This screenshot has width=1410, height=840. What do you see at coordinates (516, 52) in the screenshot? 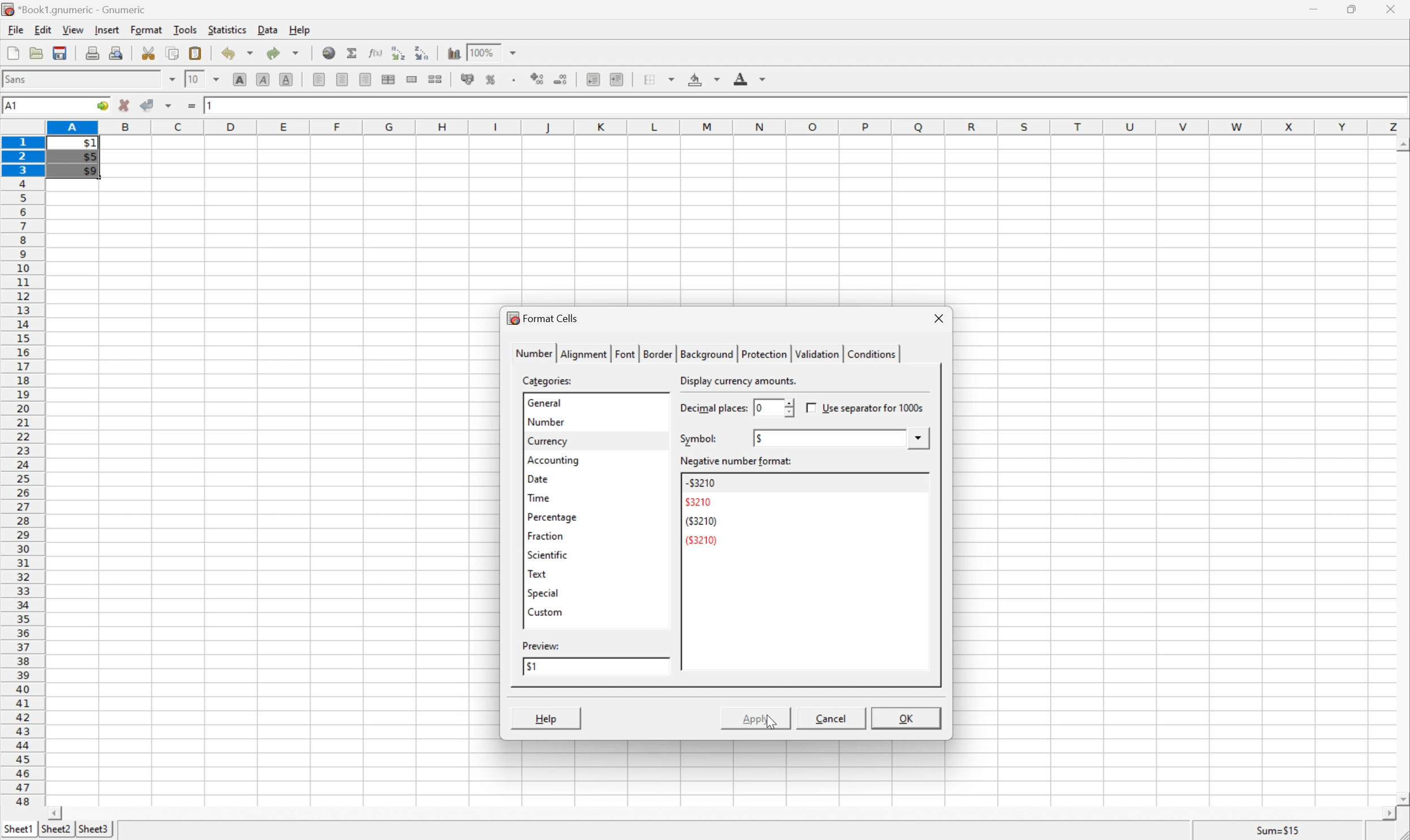
I see `drop down` at bounding box center [516, 52].